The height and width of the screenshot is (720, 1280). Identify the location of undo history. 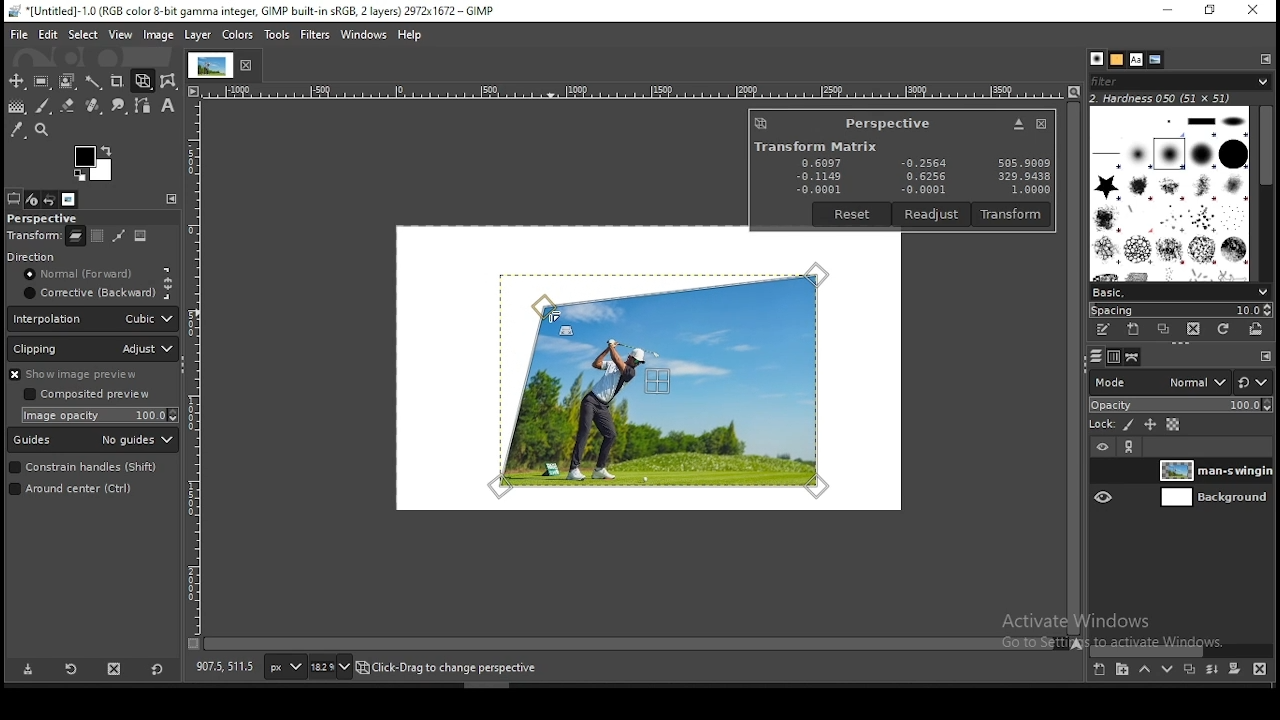
(51, 199).